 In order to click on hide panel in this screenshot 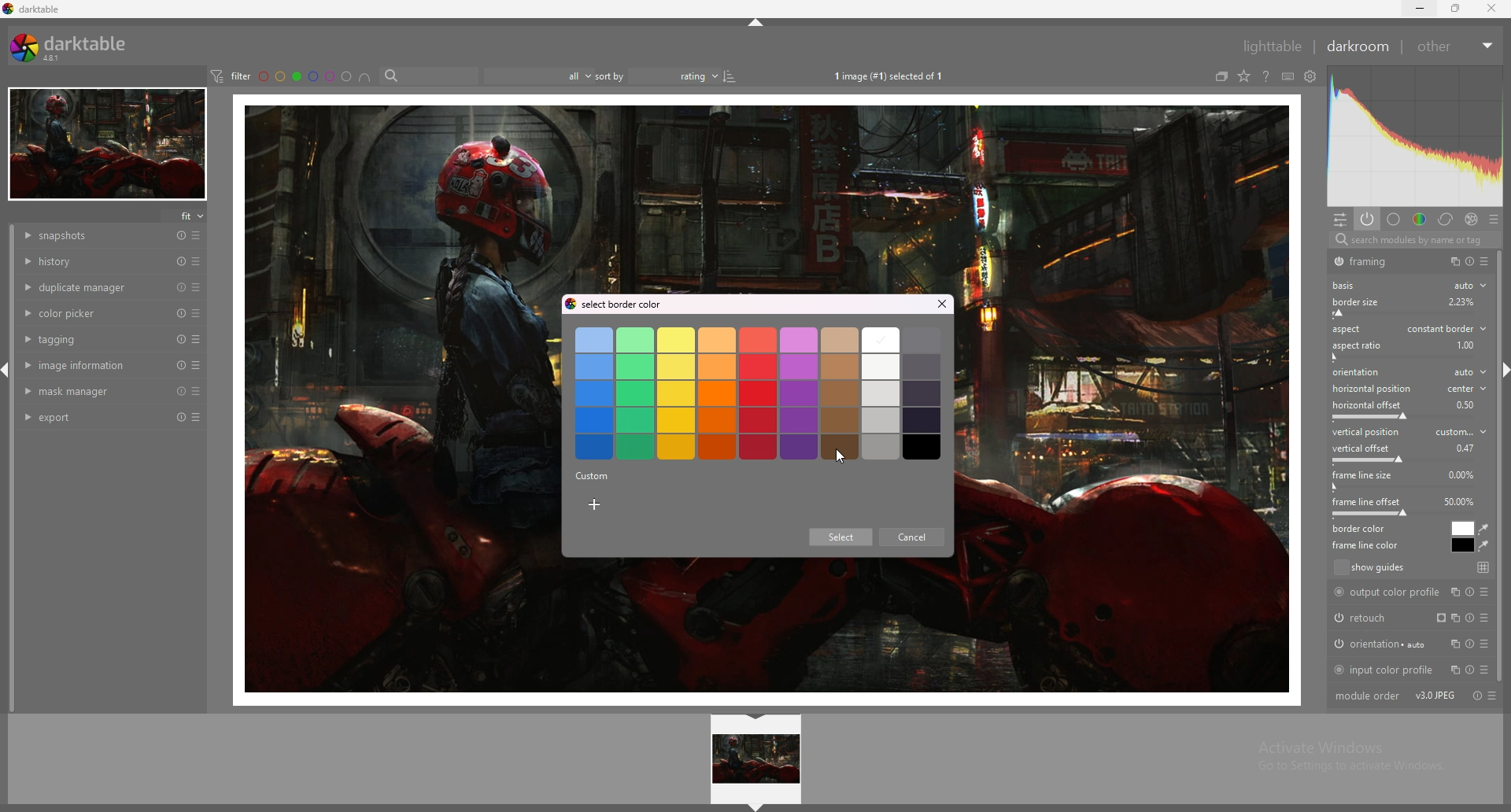, I will do `click(757, 27)`.